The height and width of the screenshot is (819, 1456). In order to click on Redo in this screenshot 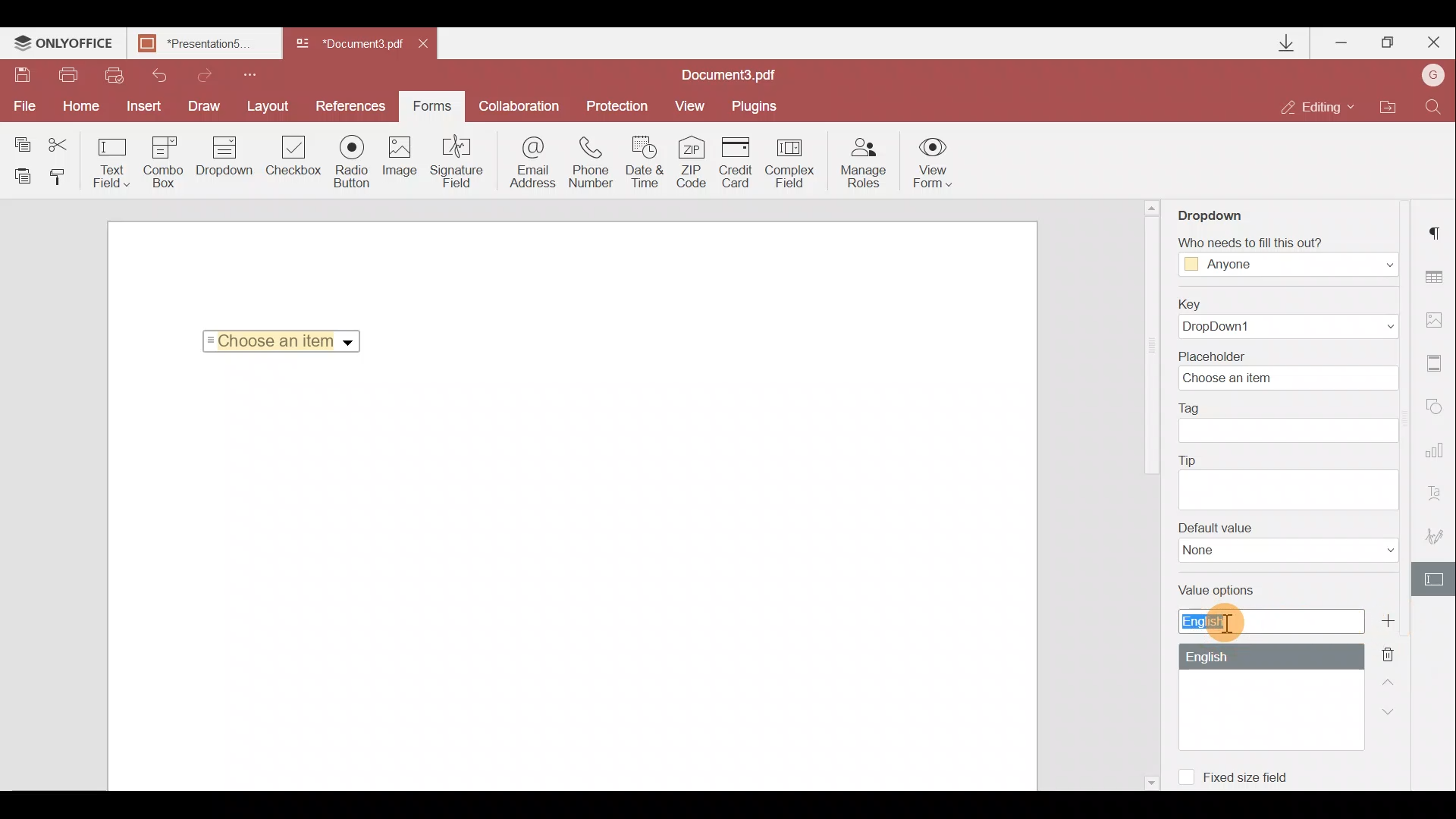, I will do `click(197, 73)`.